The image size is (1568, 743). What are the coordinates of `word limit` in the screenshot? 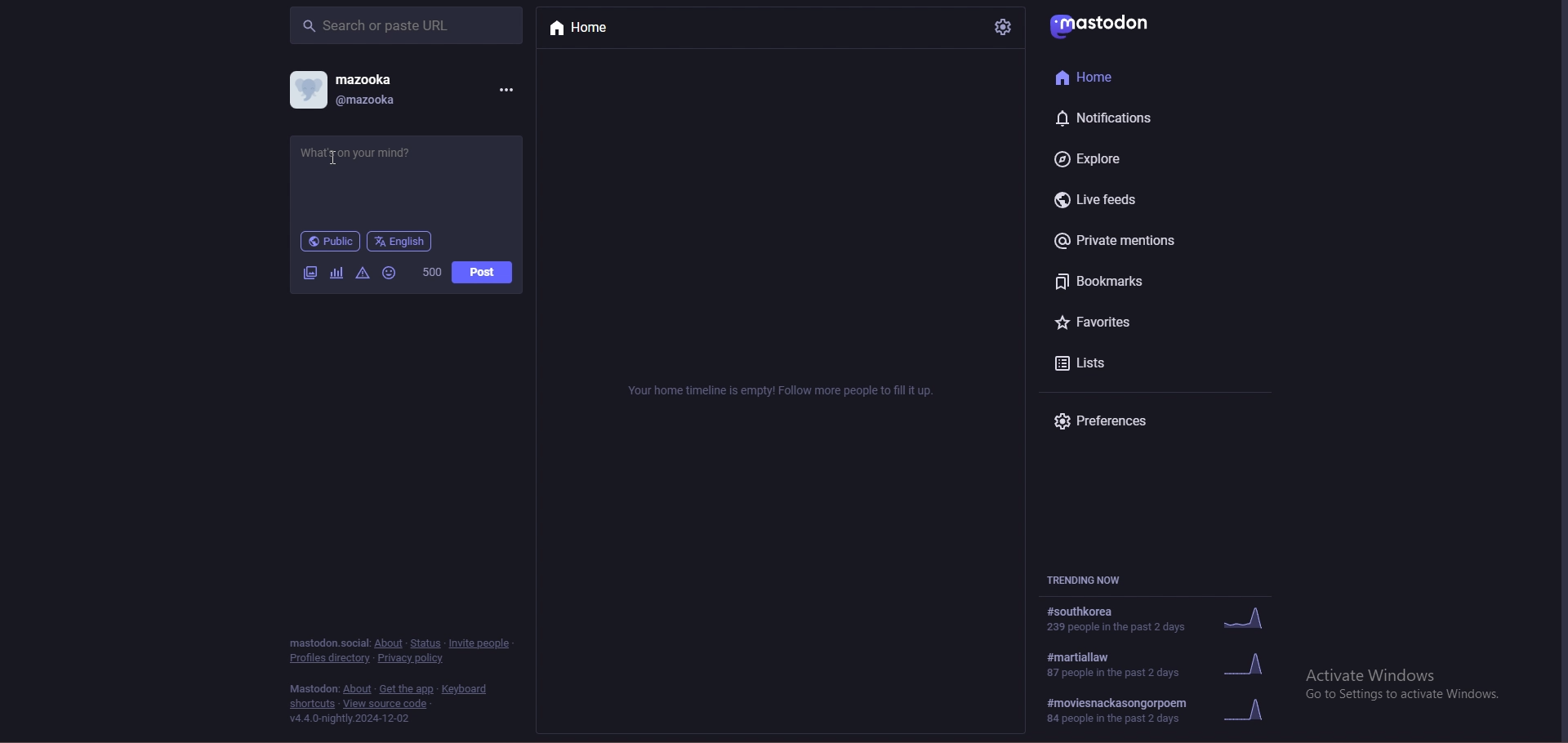 It's located at (431, 271).